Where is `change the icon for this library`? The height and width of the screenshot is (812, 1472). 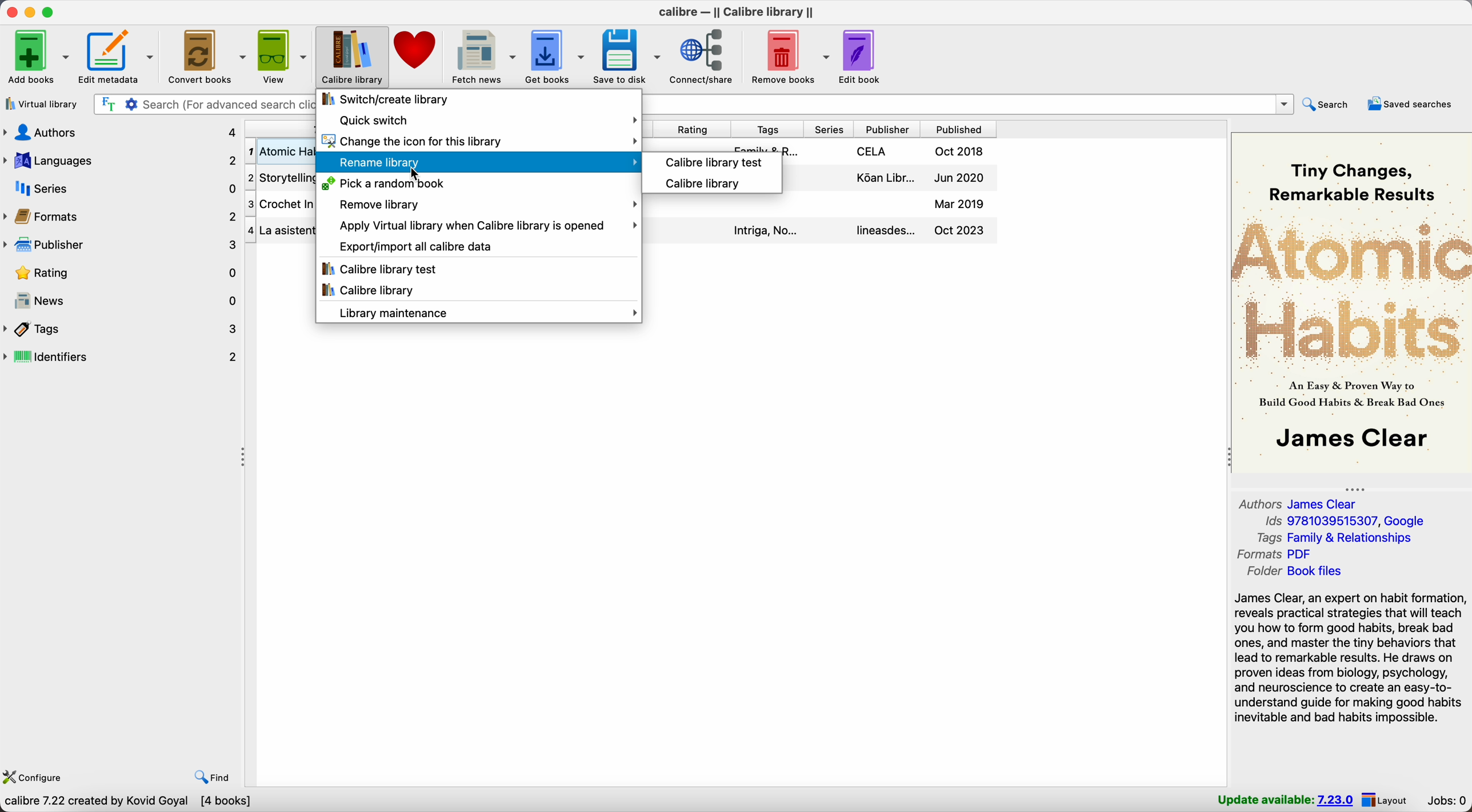
change the icon for this library is located at coordinates (477, 140).